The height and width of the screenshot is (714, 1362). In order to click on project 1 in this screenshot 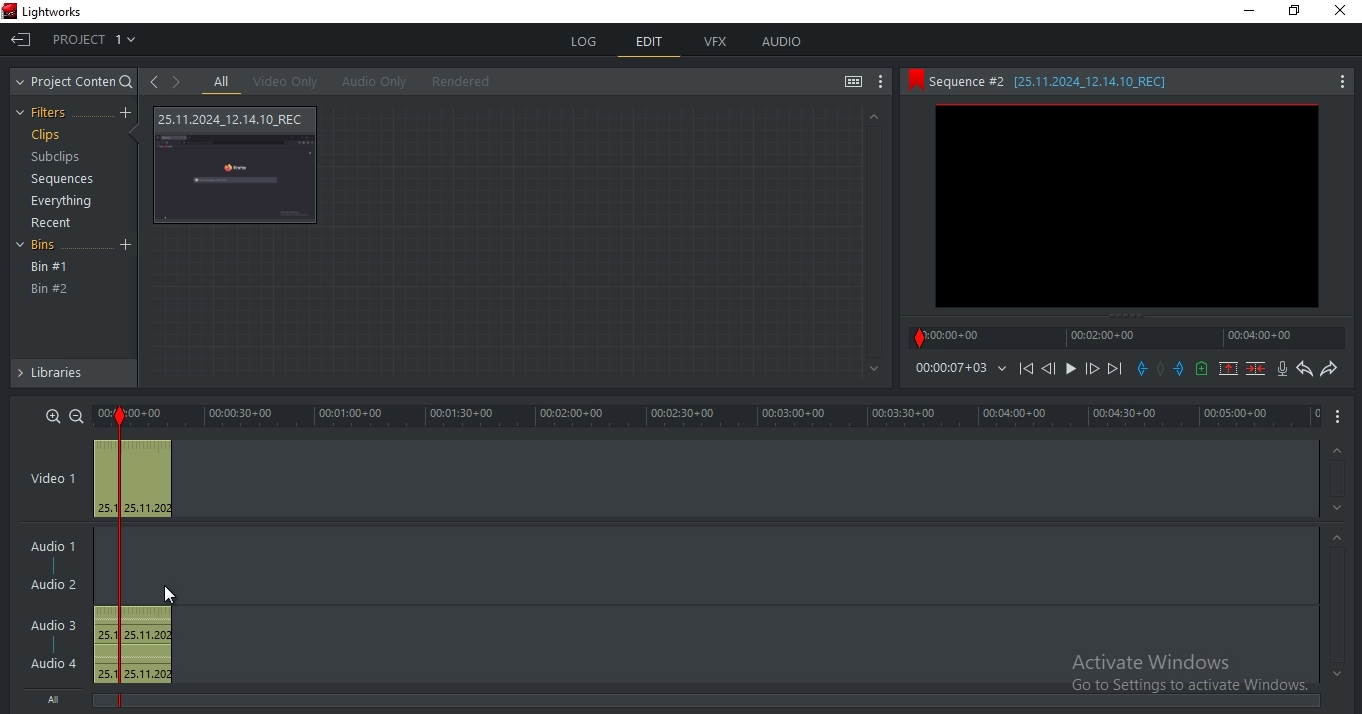, I will do `click(96, 37)`.